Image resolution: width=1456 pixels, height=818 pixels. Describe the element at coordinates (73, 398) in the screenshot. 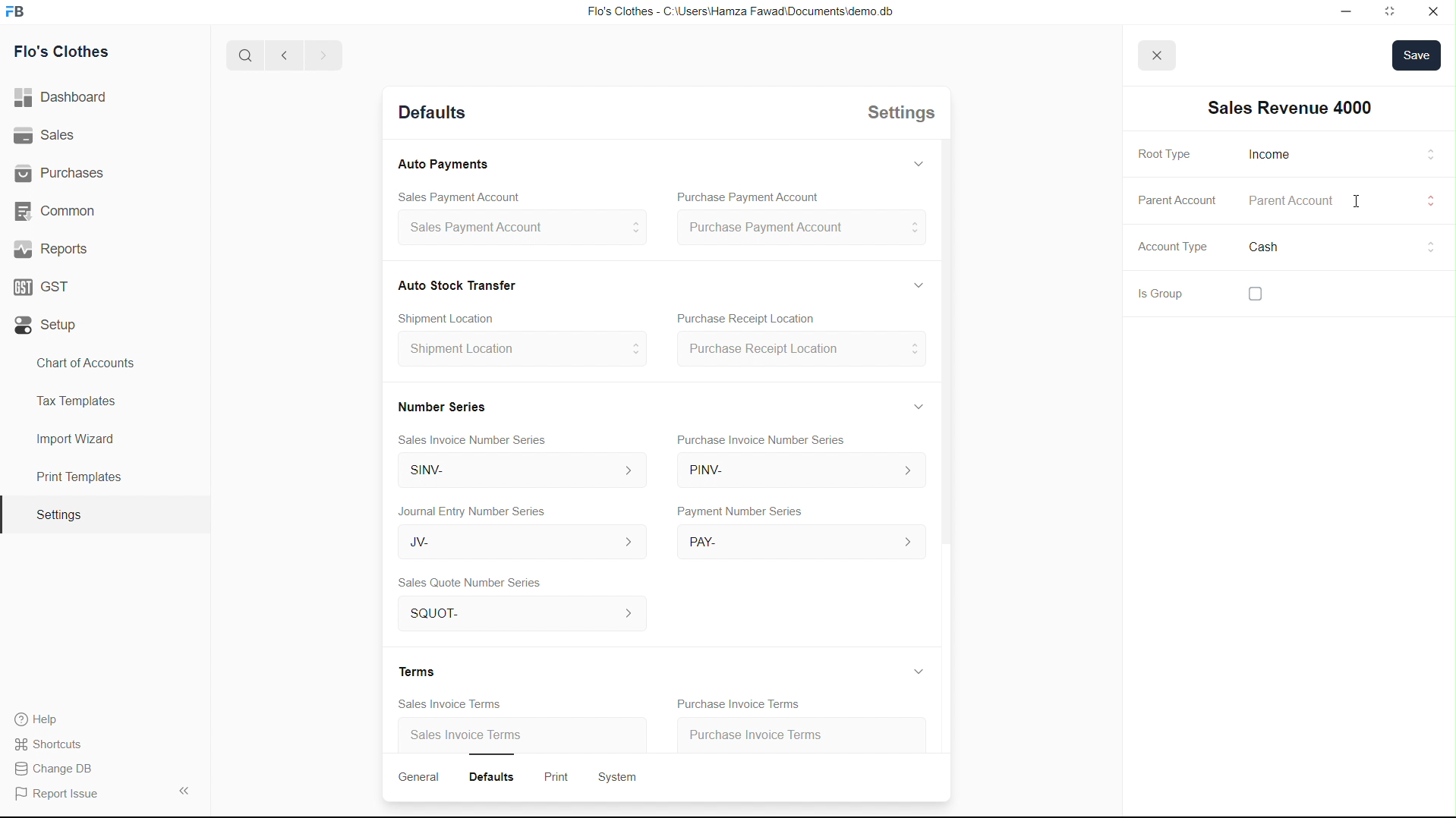

I see `Tax Templates` at that location.